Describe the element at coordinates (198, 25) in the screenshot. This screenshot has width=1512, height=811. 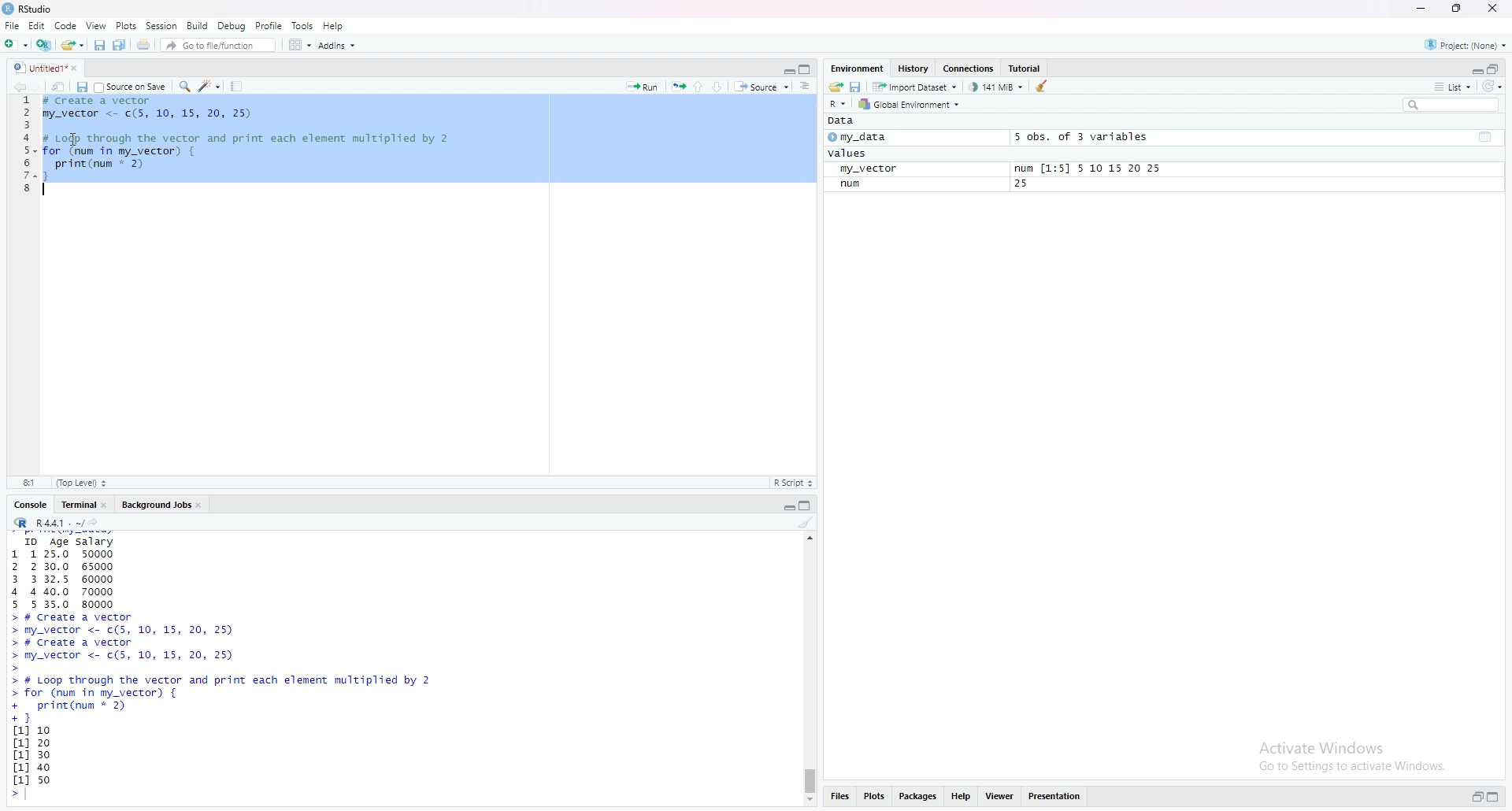
I see `build` at that location.